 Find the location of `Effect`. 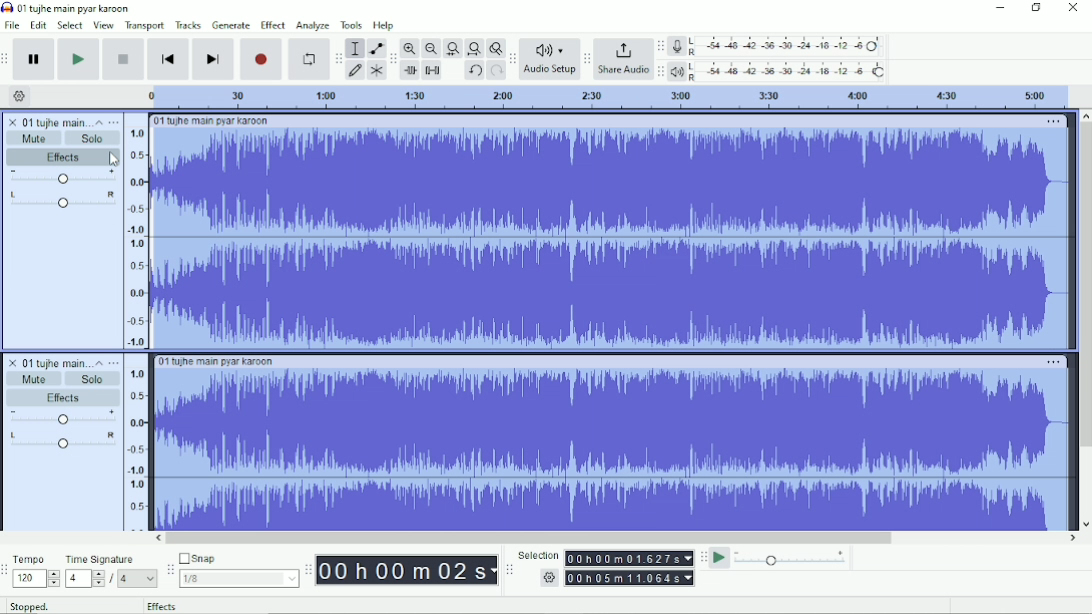

Effect is located at coordinates (273, 25).